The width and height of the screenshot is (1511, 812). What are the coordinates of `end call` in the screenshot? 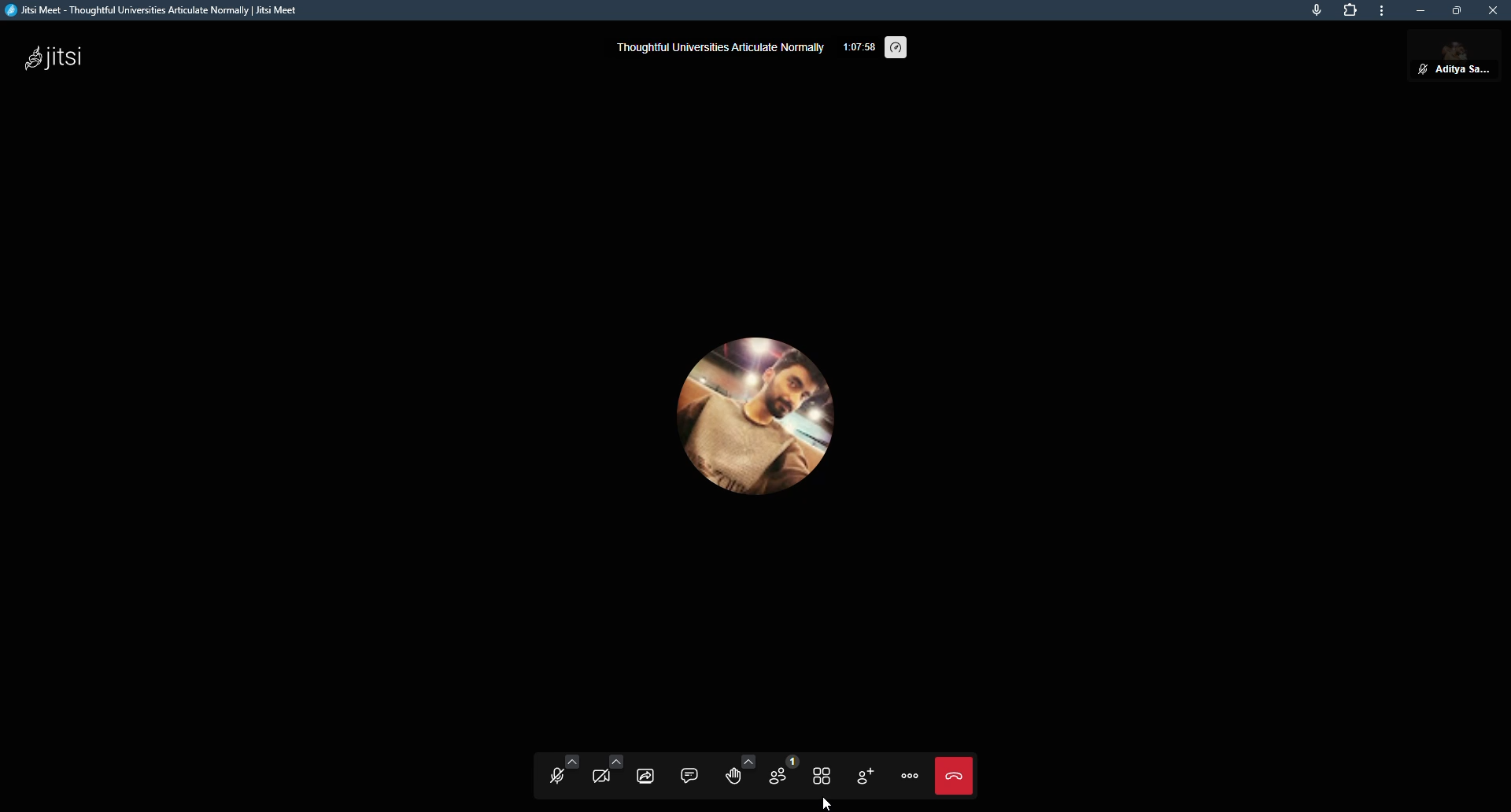 It's located at (957, 777).